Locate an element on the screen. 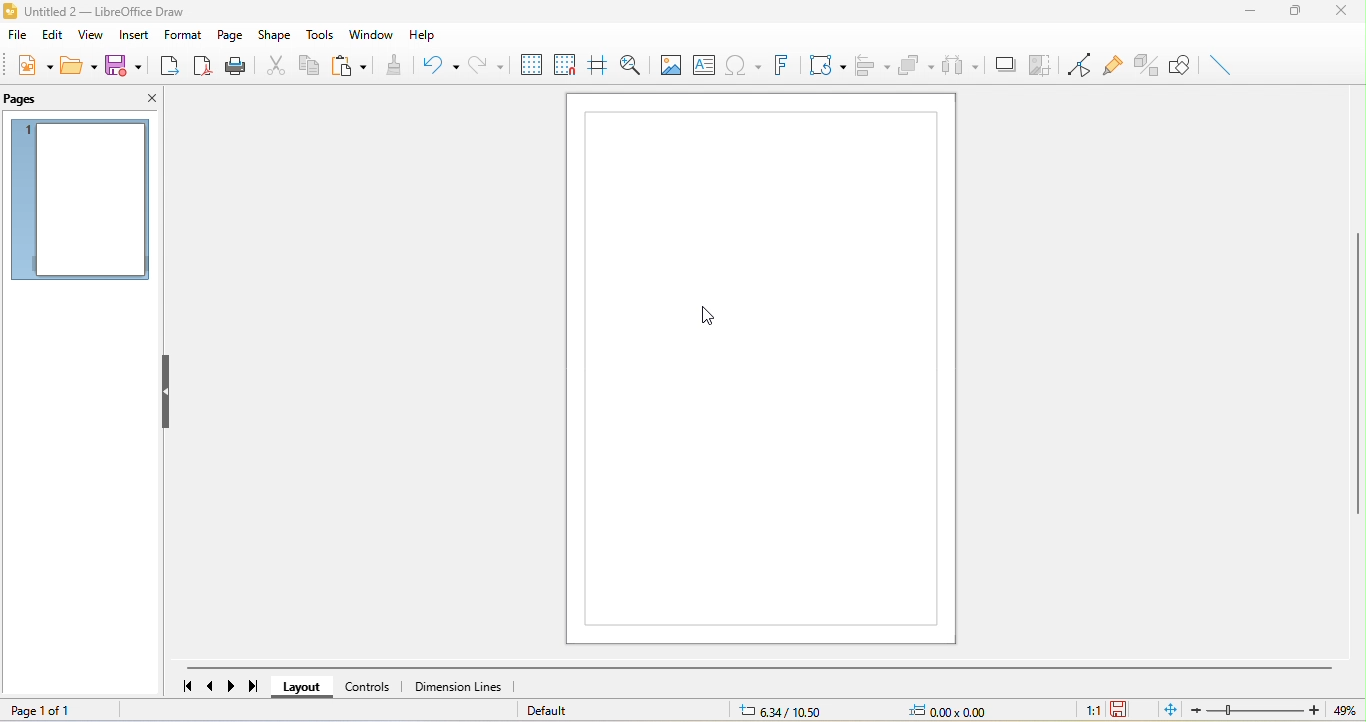 This screenshot has width=1366, height=722. the document has not been modified since the last save is located at coordinates (1131, 711).